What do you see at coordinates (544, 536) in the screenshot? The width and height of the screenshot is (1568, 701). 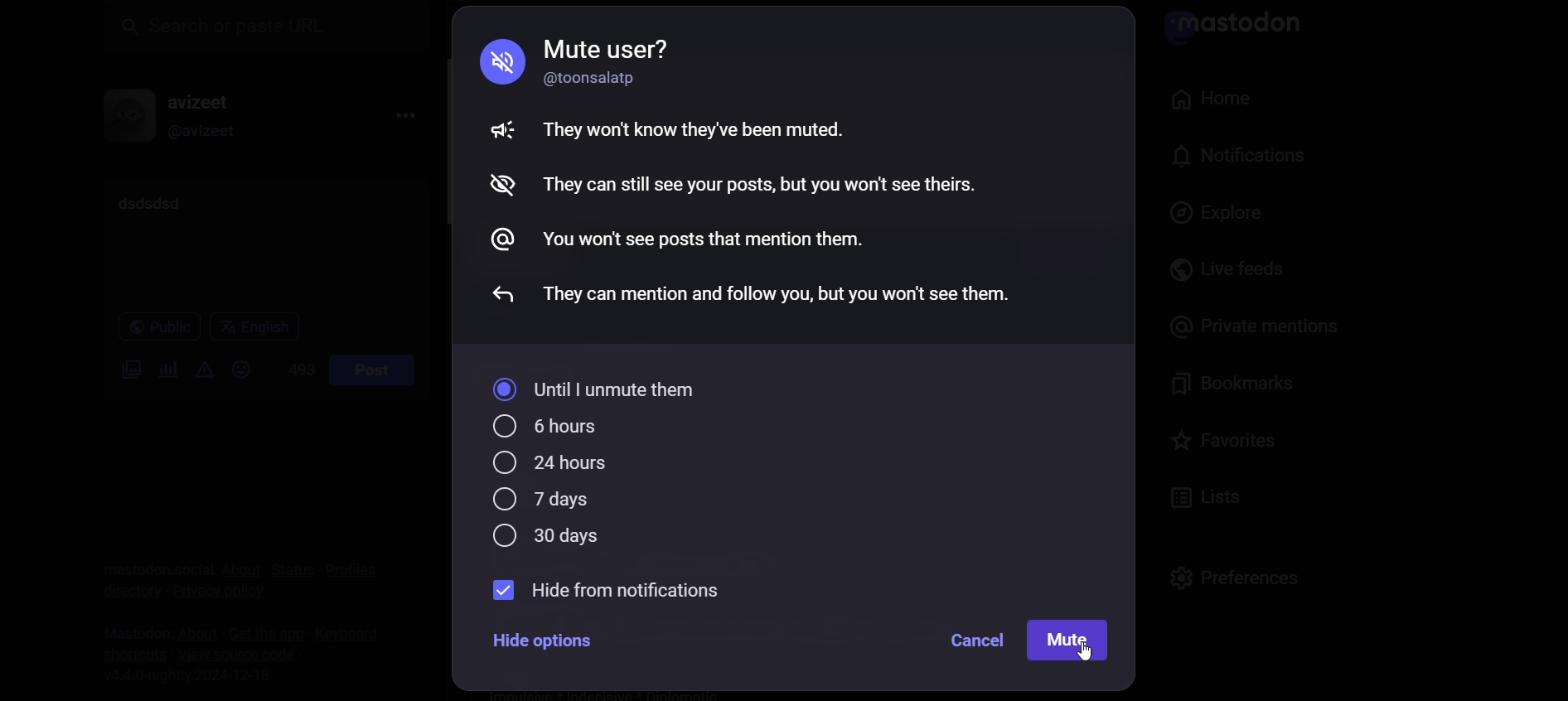 I see `30 days` at bounding box center [544, 536].